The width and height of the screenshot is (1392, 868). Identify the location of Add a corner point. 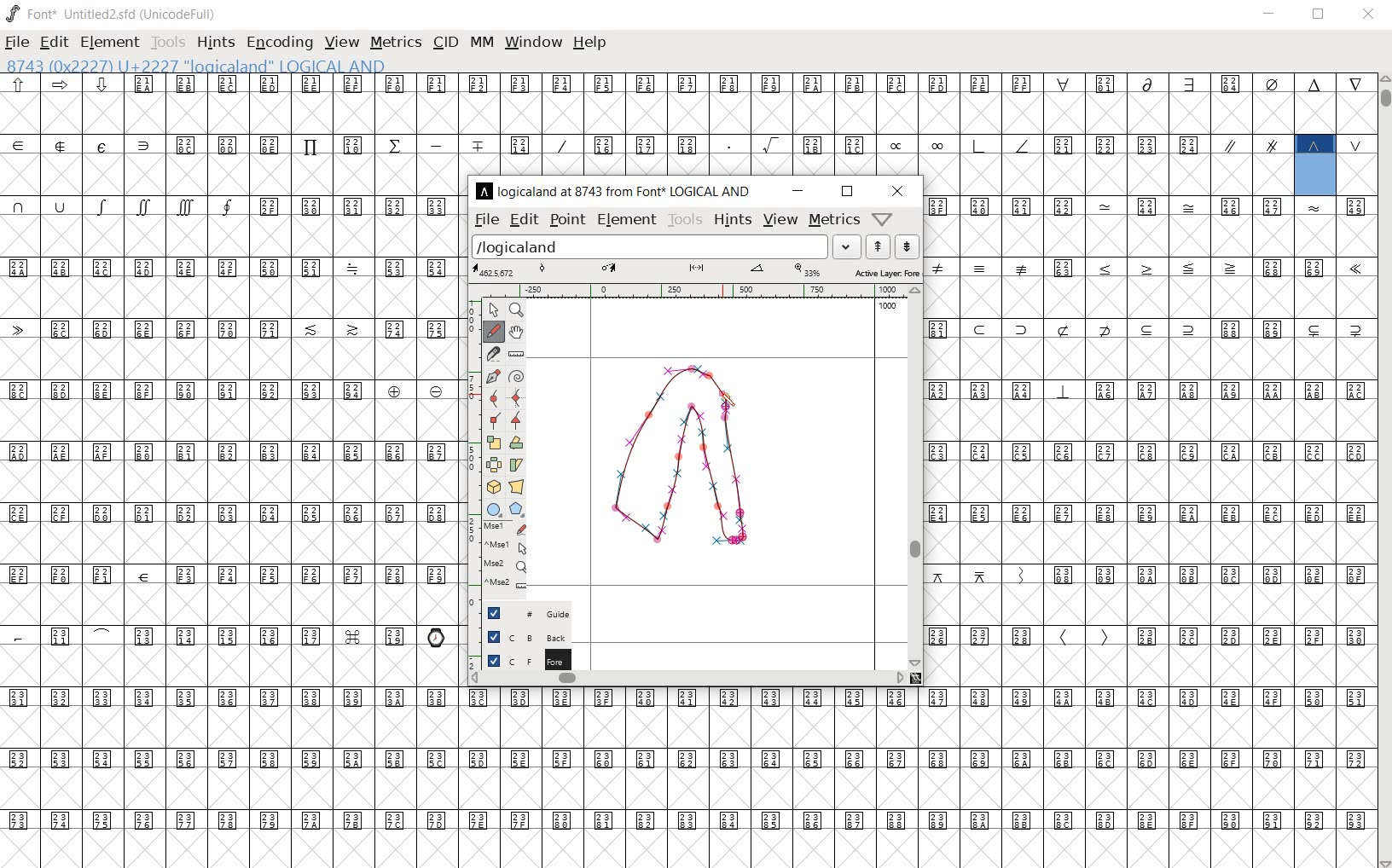
(493, 420).